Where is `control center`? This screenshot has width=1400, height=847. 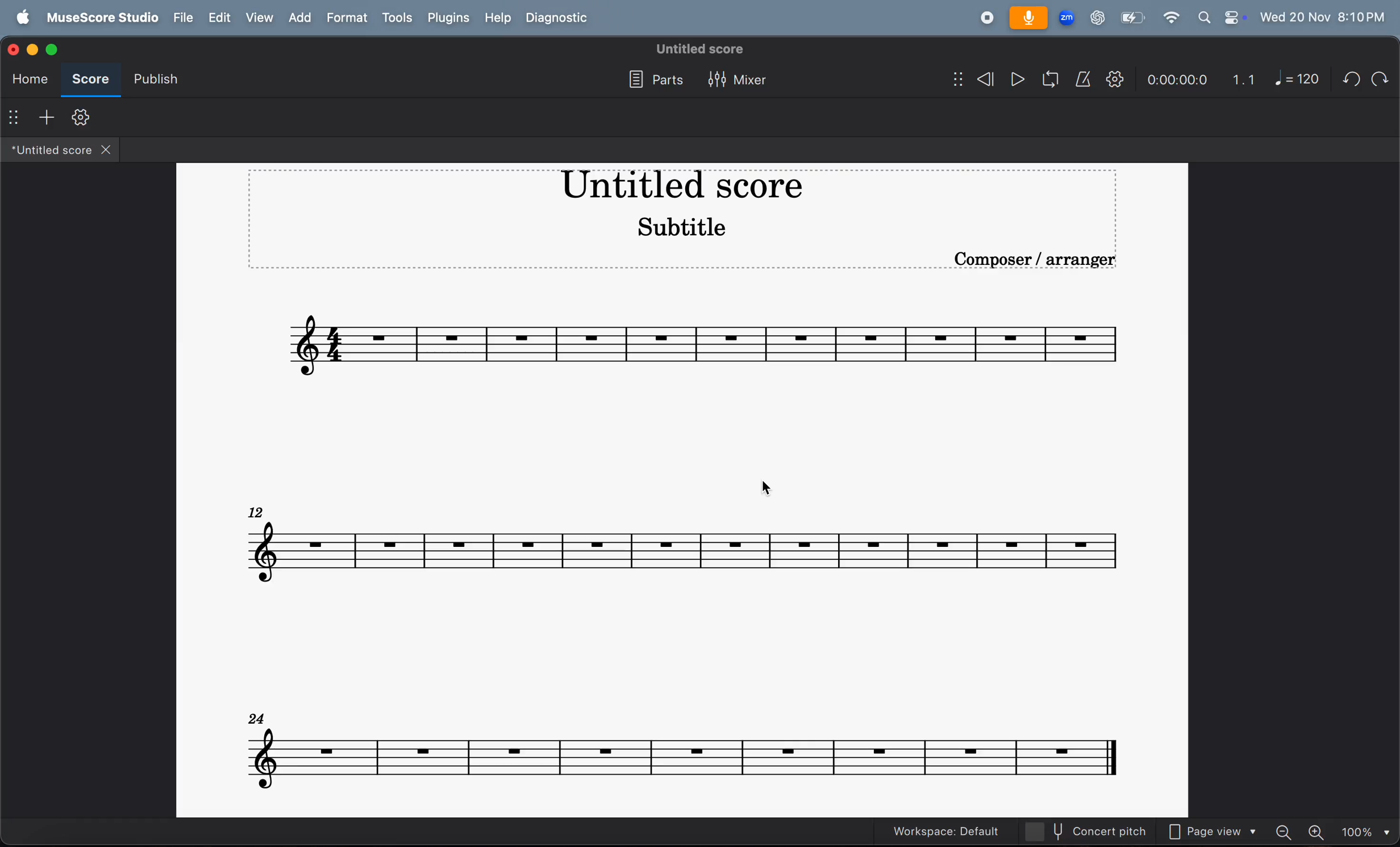 control center is located at coordinates (1233, 16).